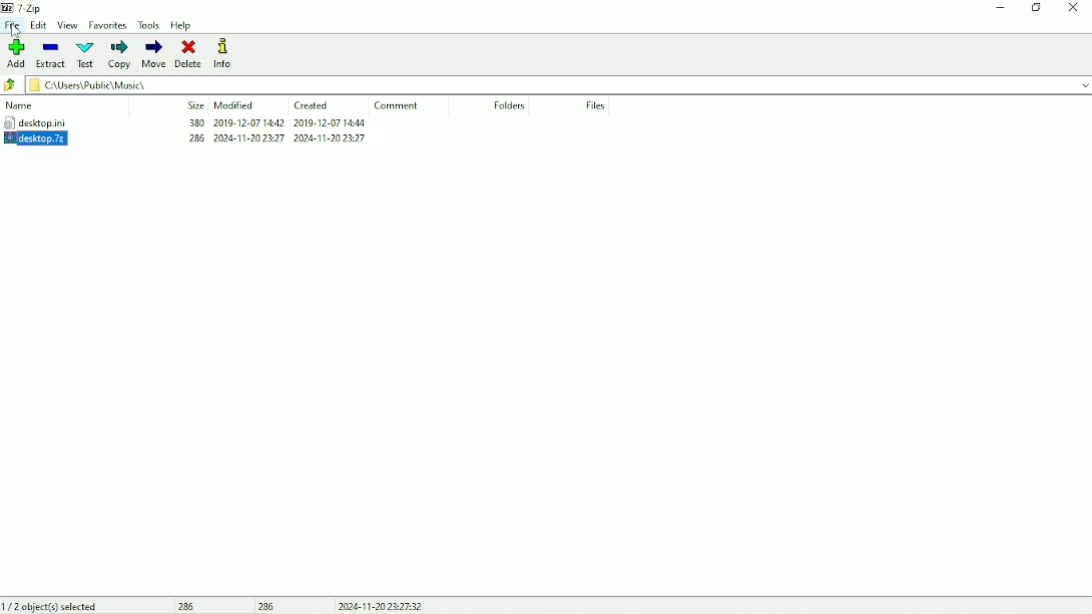  Describe the element at coordinates (559, 85) in the screenshot. I see `File location` at that location.